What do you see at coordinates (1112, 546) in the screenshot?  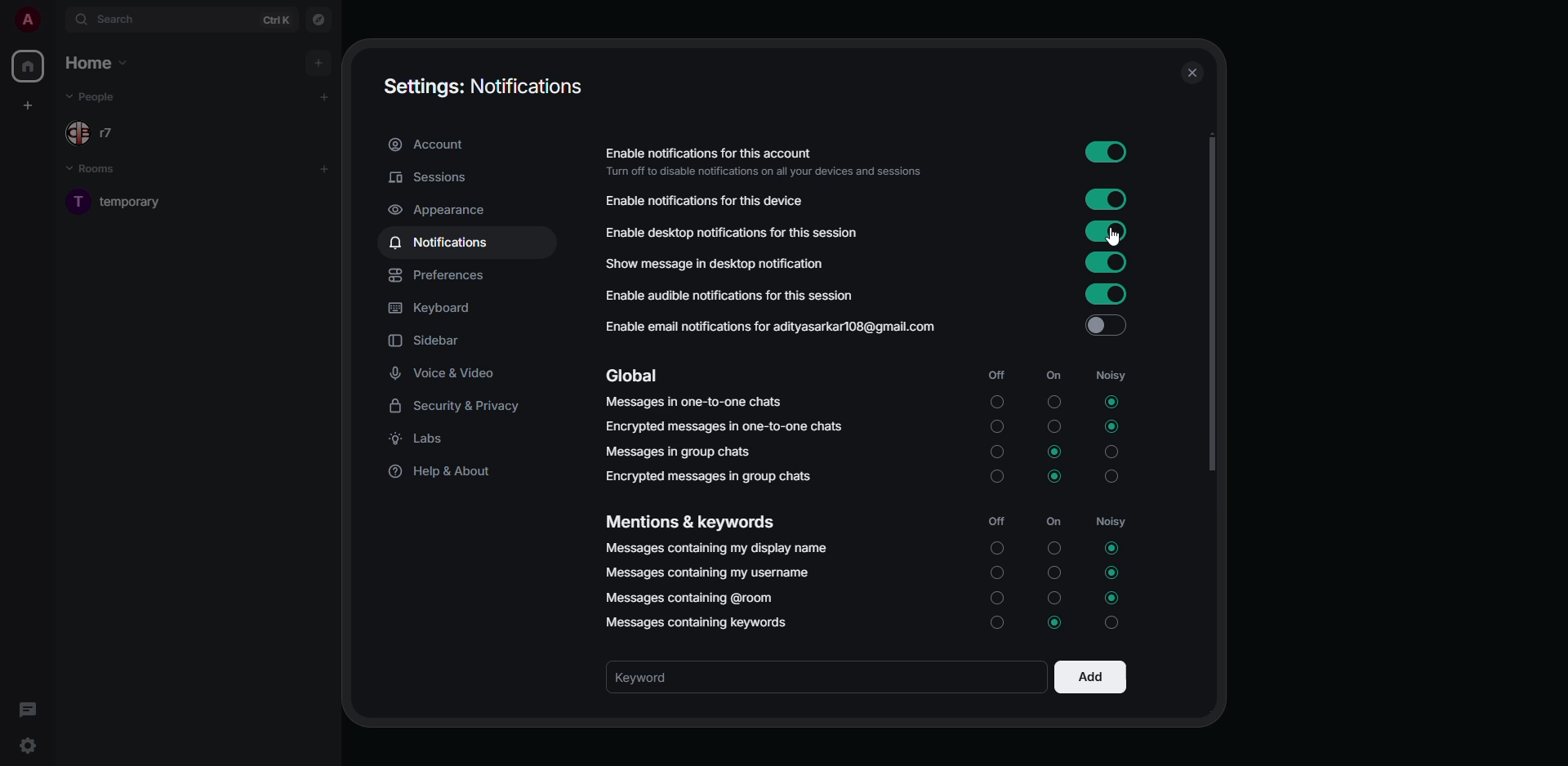 I see `selected` at bounding box center [1112, 546].